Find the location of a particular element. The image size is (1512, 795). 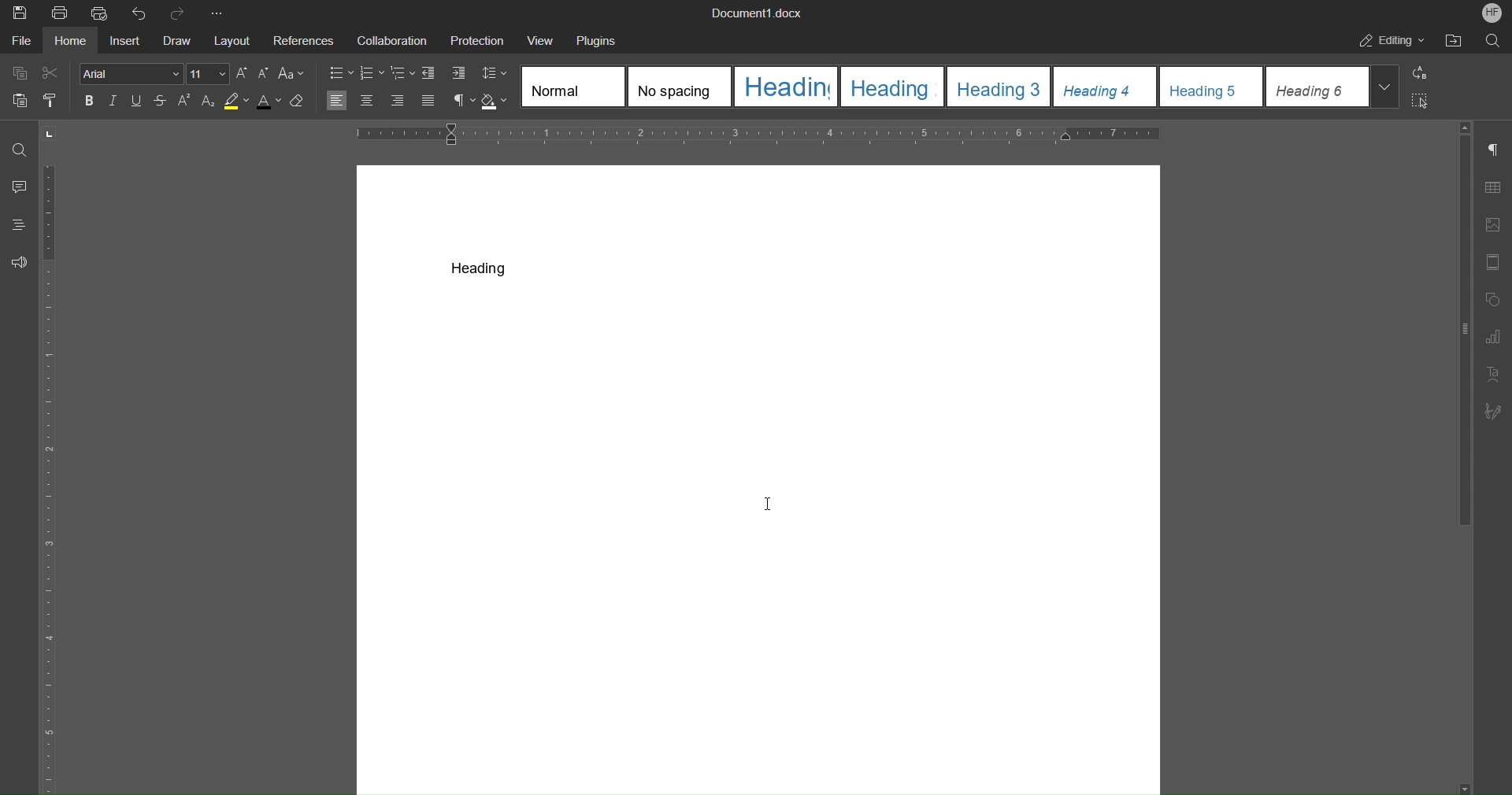

Collaboration is located at coordinates (392, 39).